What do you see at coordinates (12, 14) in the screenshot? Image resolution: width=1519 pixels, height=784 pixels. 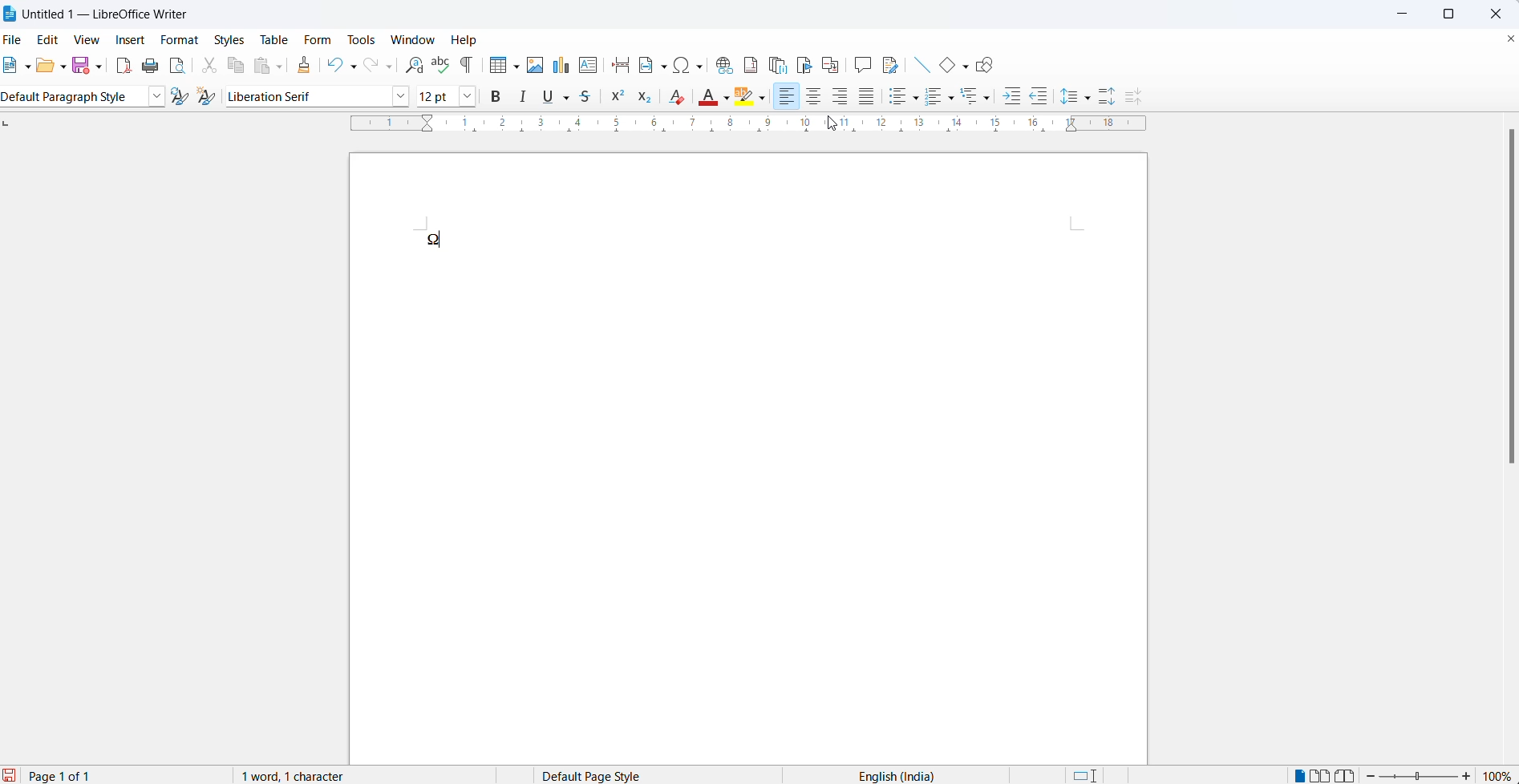 I see `libreoffice logo` at bounding box center [12, 14].